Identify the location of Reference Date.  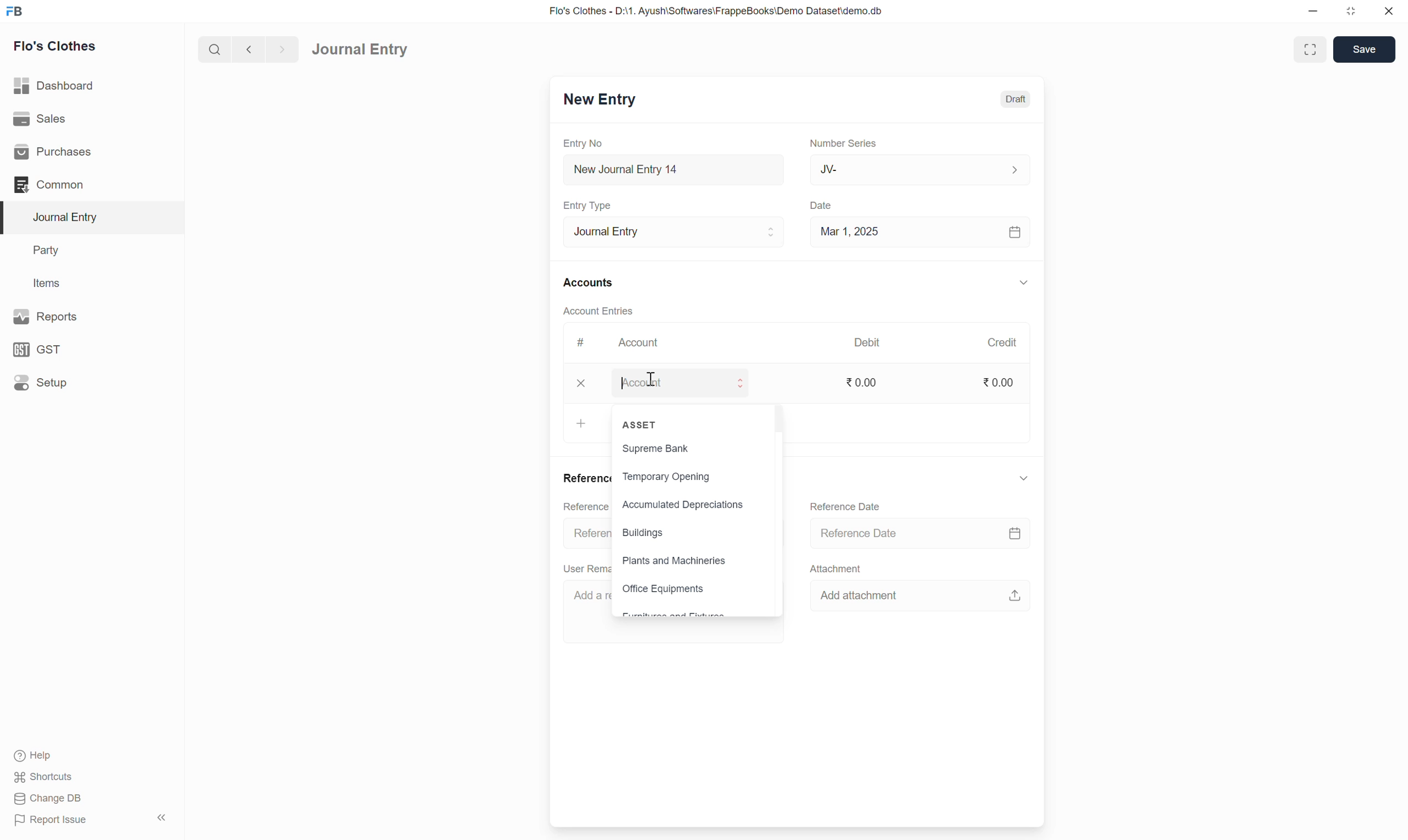
(847, 507).